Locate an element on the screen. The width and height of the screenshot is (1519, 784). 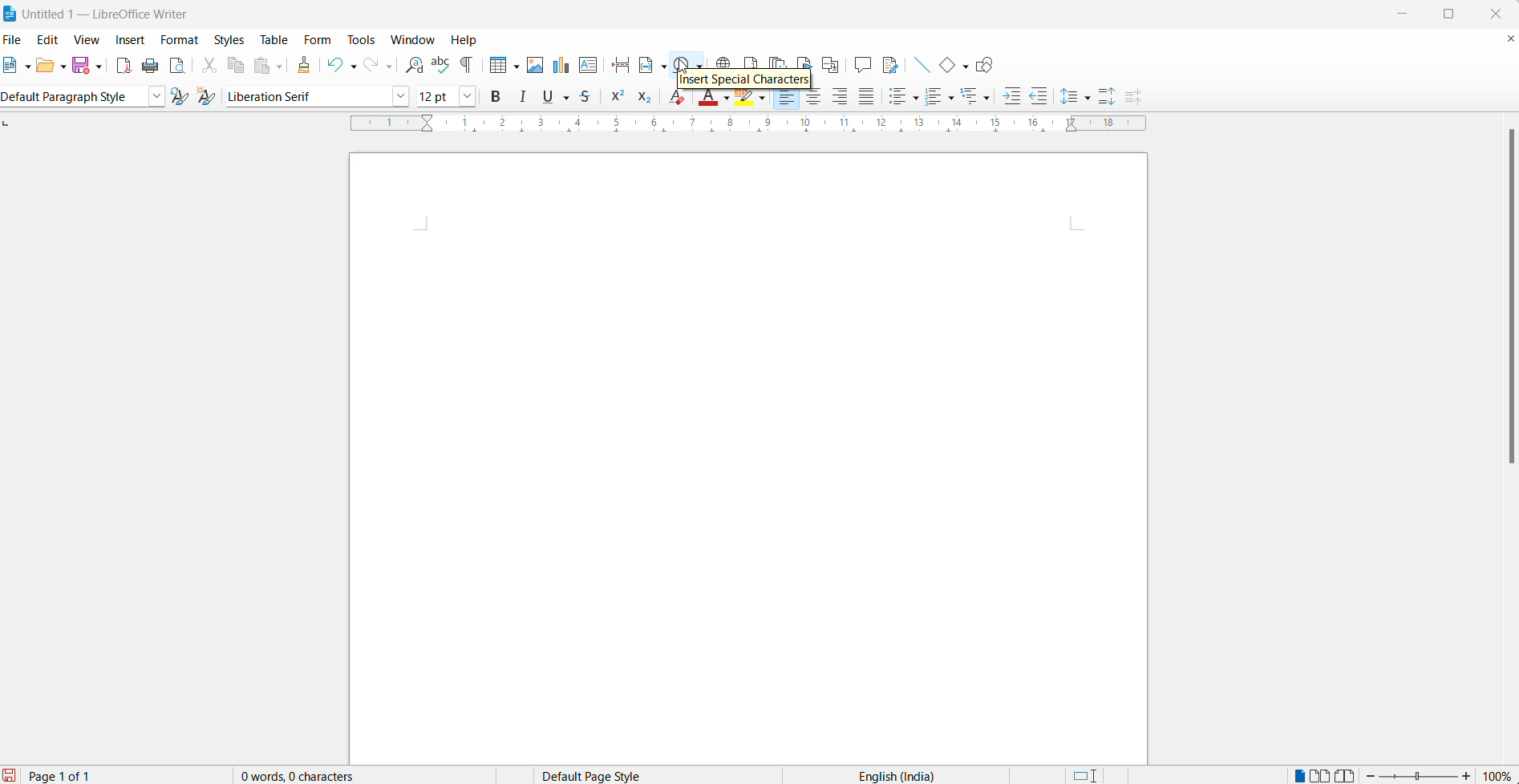
insert hyperlink is located at coordinates (720, 60).